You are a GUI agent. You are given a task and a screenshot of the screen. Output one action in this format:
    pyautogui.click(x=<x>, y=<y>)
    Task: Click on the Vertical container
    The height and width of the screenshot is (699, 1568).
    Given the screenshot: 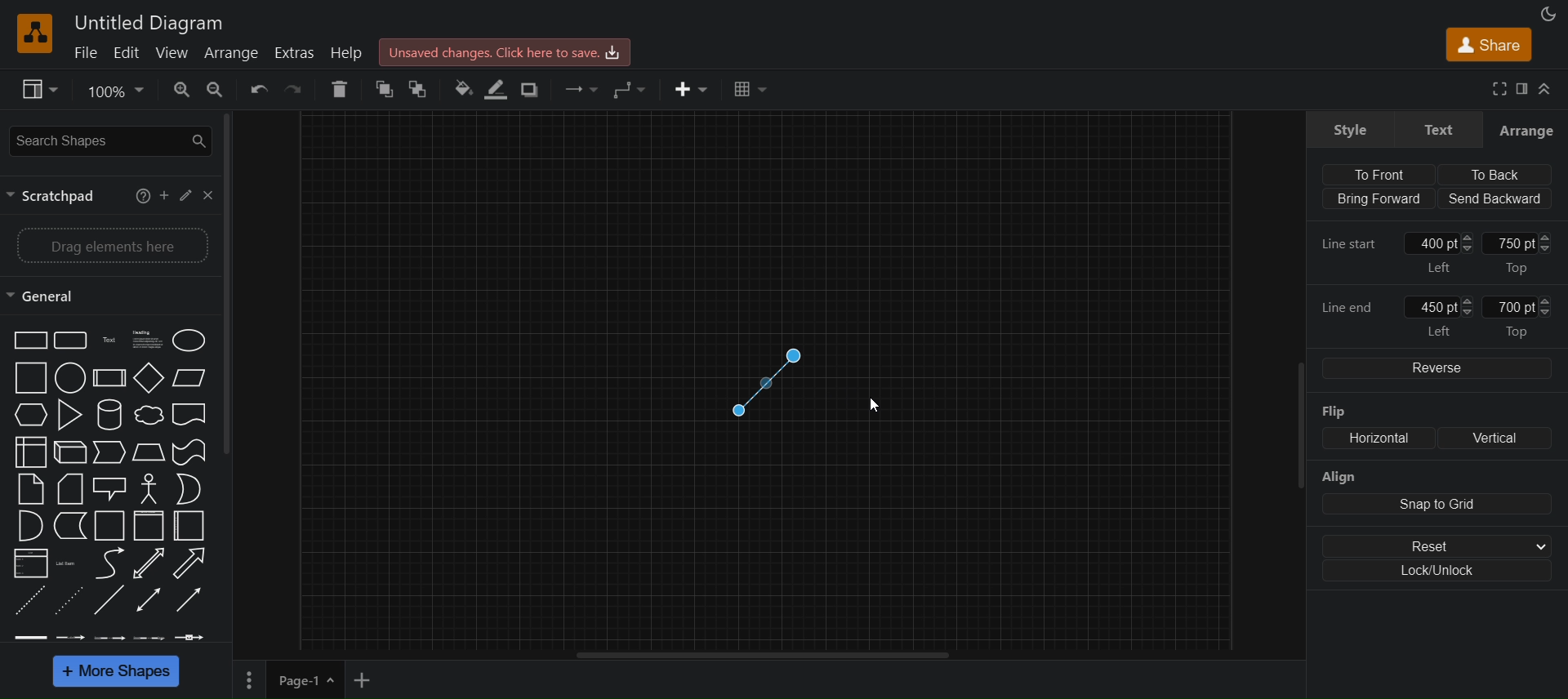 What is the action you would take?
    pyautogui.click(x=148, y=525)
    